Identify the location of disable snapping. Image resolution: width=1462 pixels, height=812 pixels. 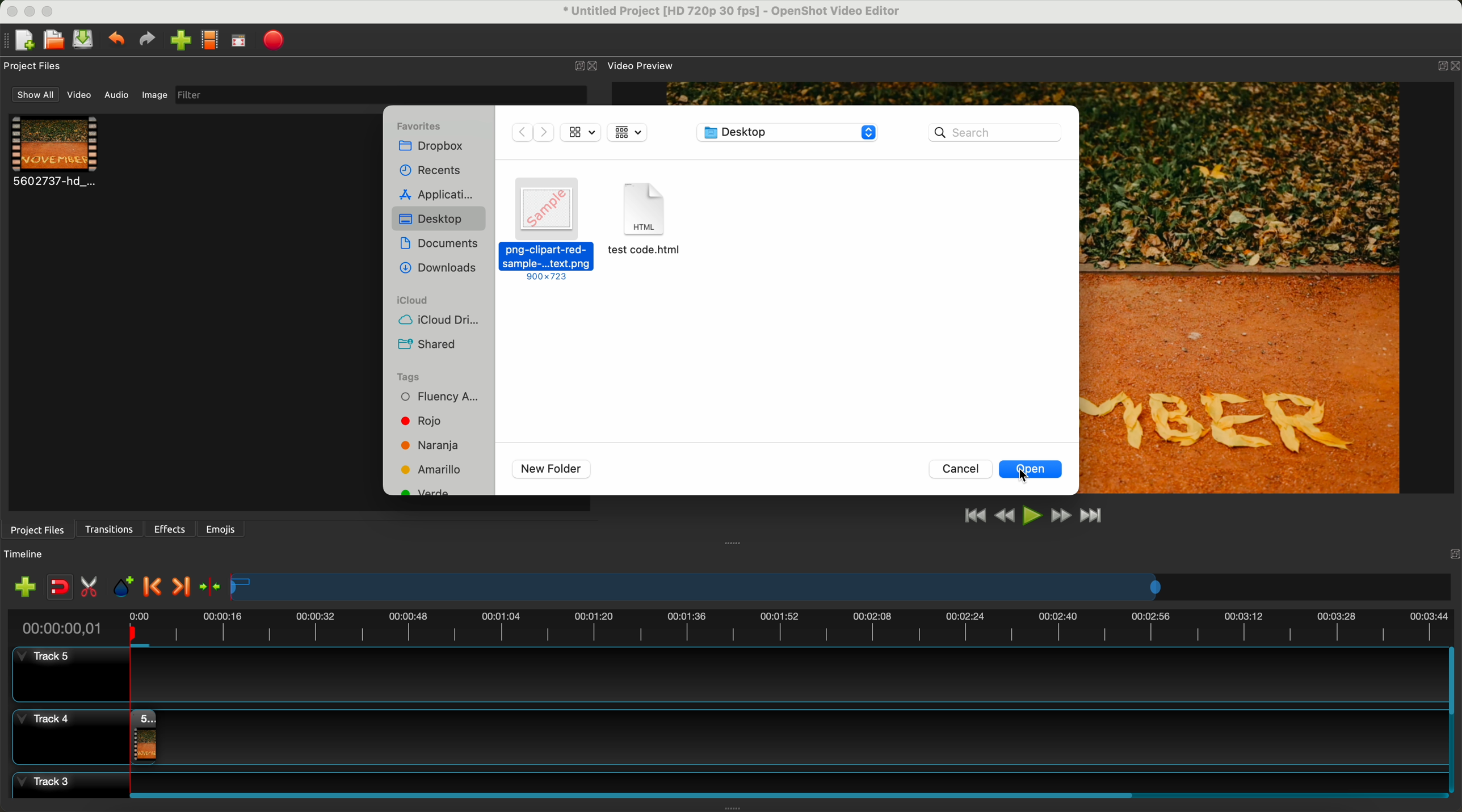
(60, 588).